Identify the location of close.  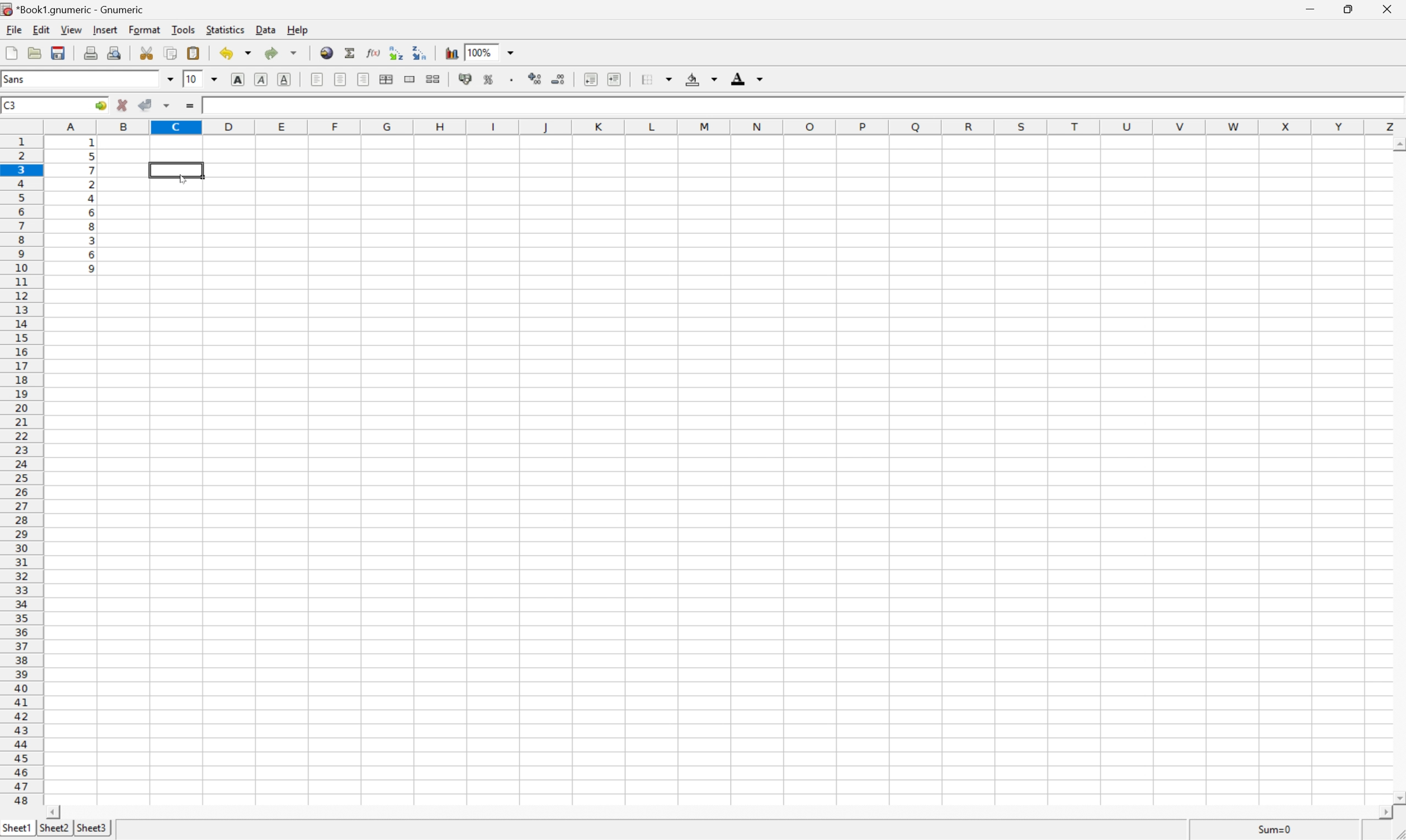
(1388, 8).